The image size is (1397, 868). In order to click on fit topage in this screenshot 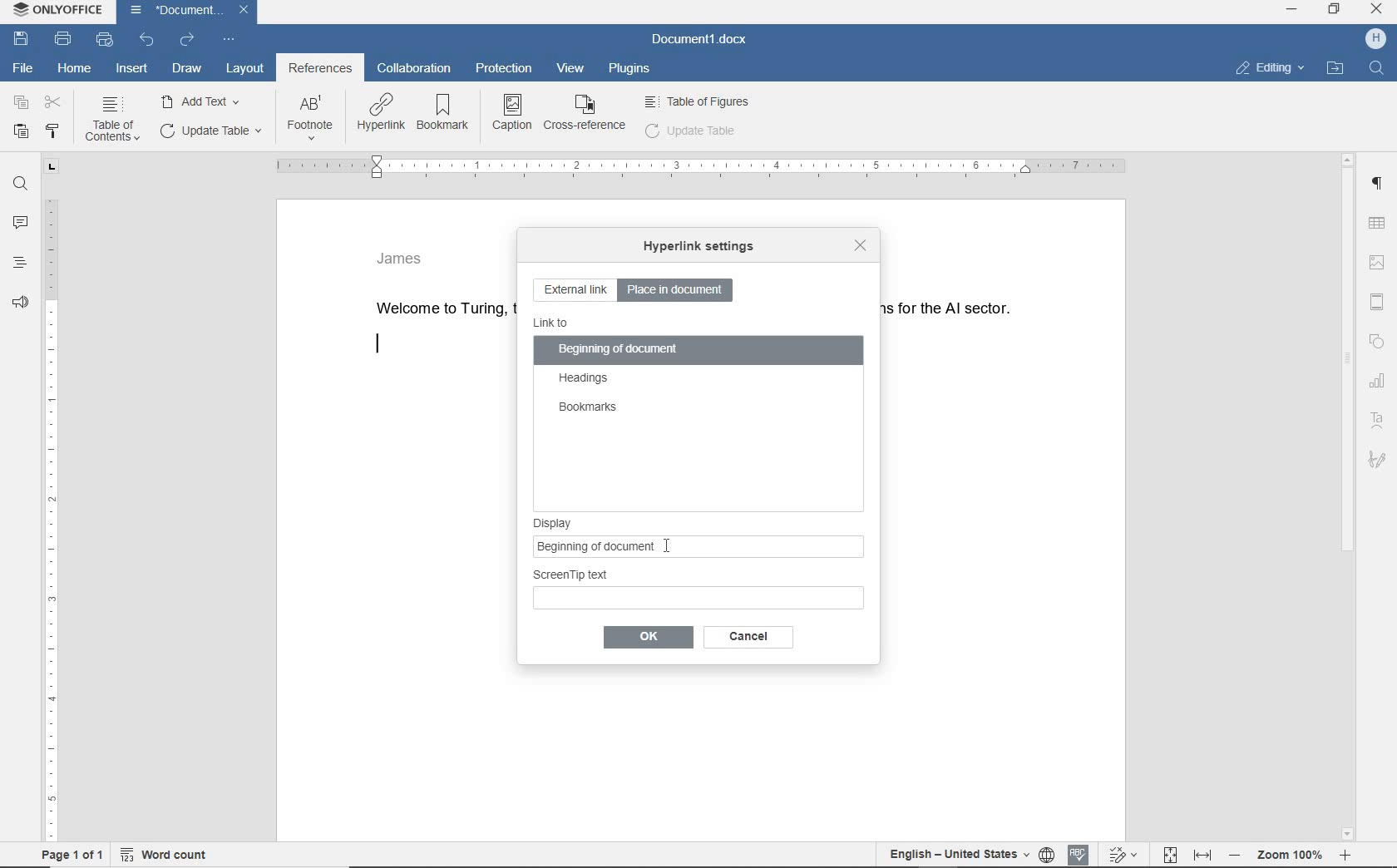, I will do `click(1169, 855)`.